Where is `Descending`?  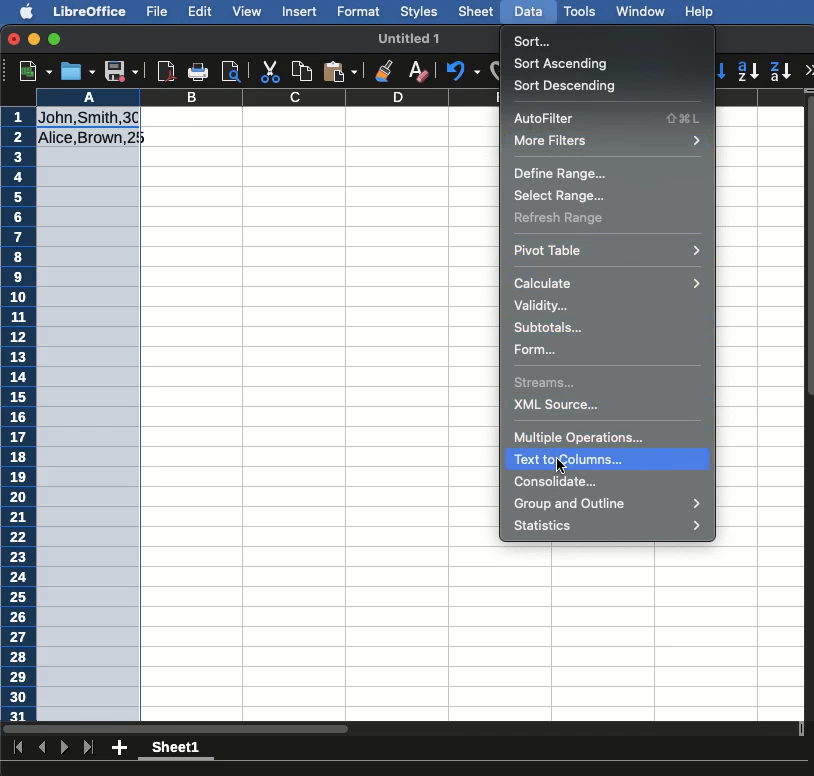 Descending is located at coordinates (781, 71).